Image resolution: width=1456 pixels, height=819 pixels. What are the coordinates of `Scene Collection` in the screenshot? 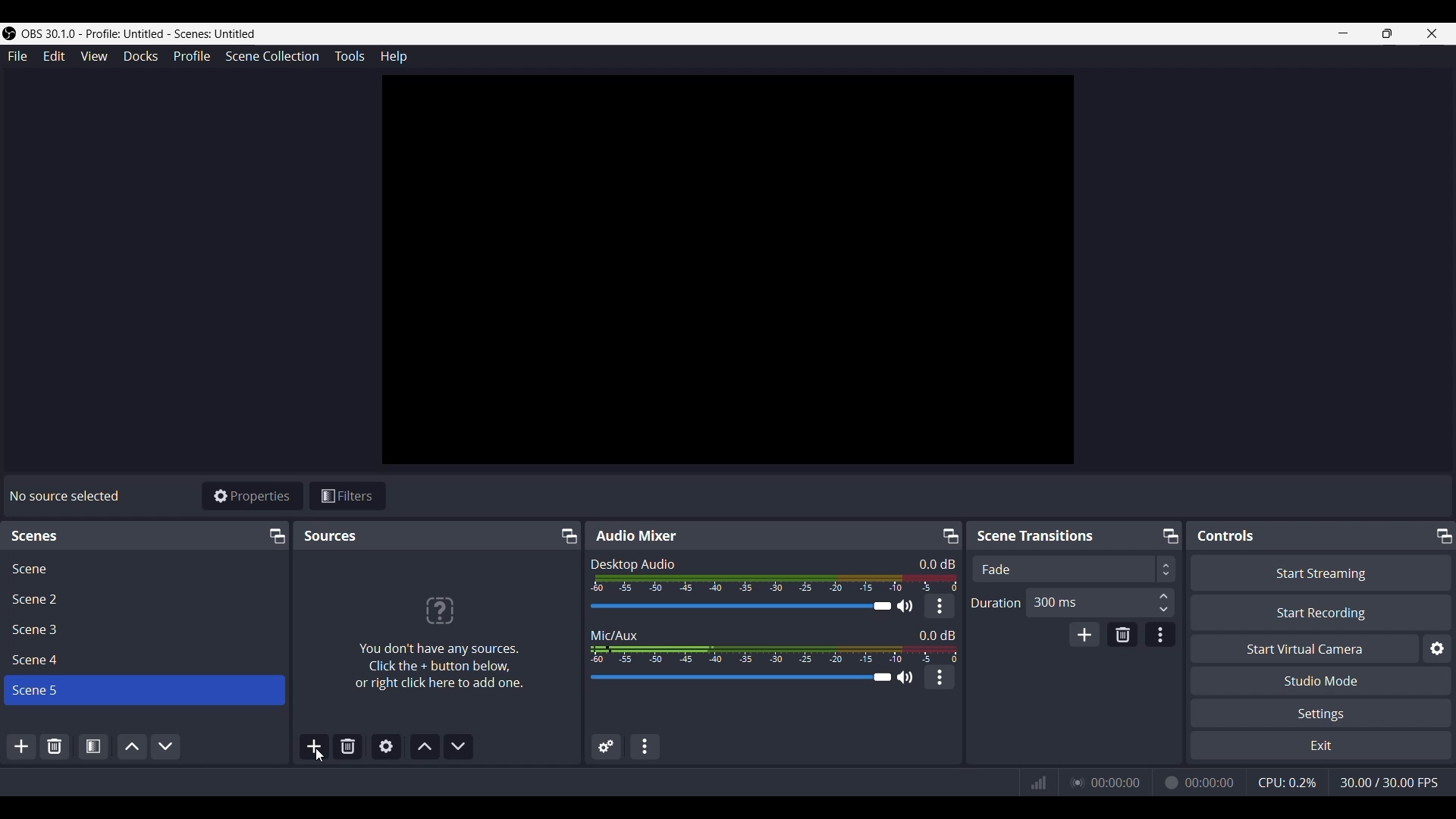 It's located at (273, 57).